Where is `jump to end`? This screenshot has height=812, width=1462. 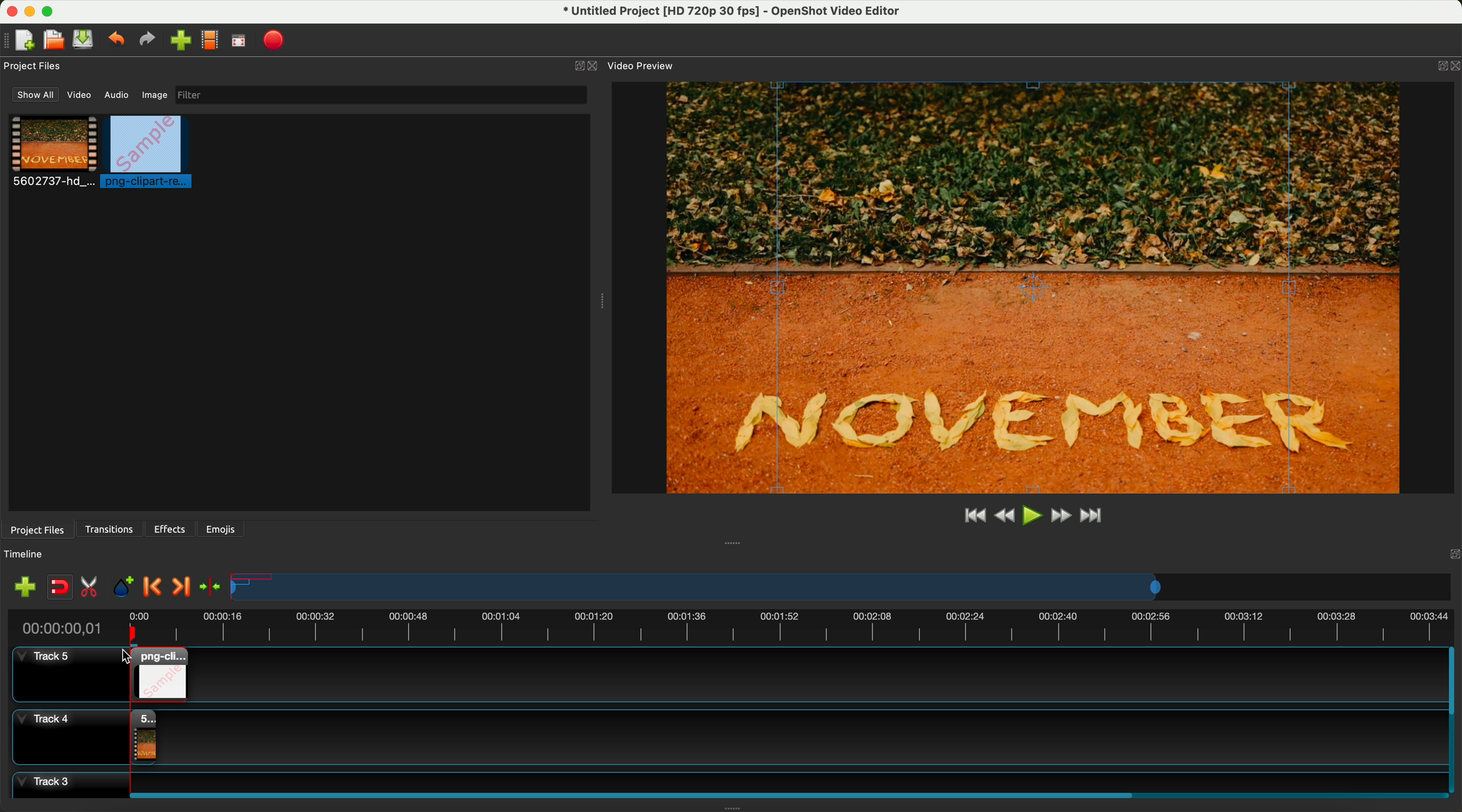
jump to end is located at coordinates (1093, 517).